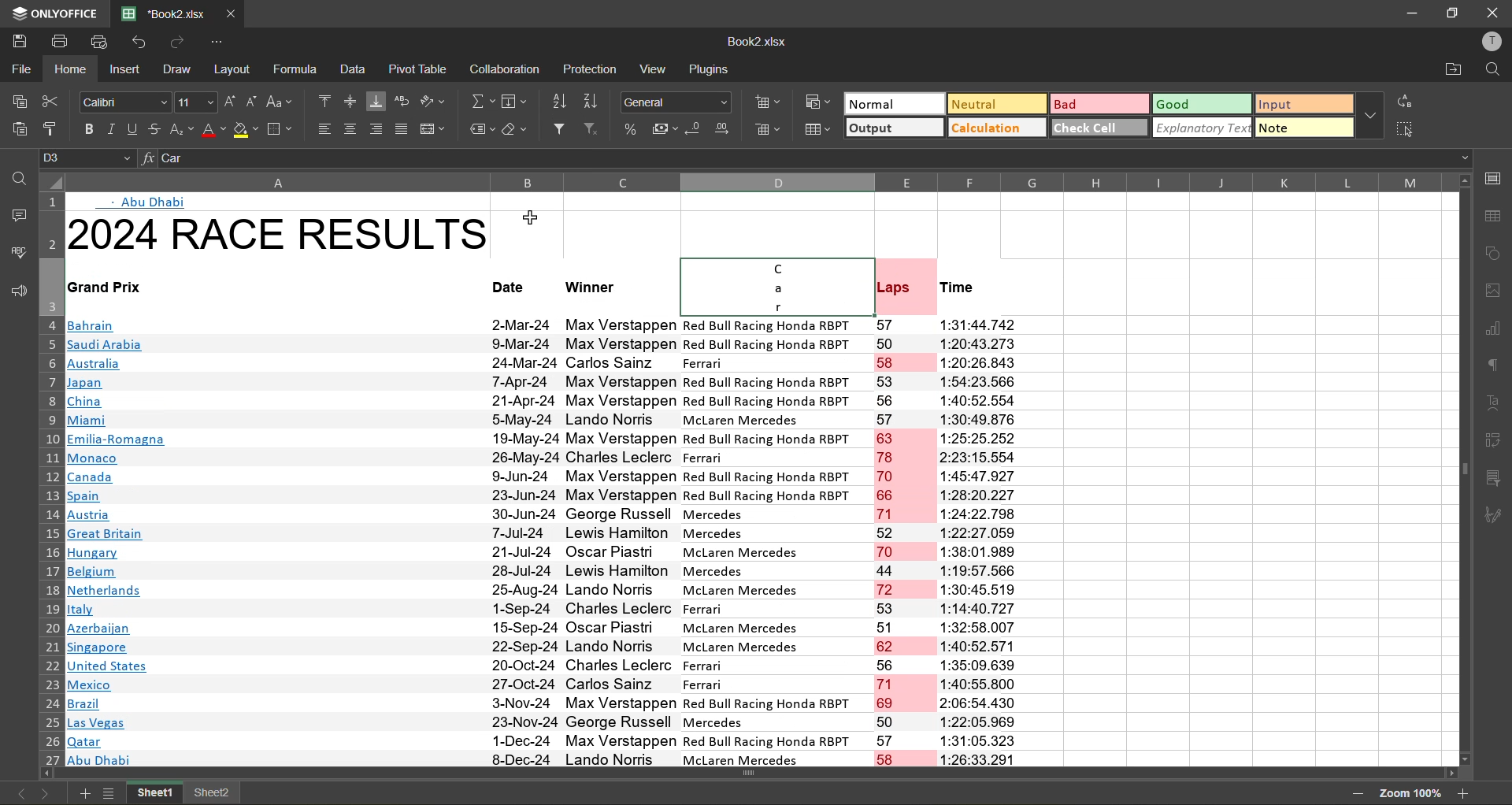 The width and height of the screenshot is (1512, 805). I want to click on previous, so click(17, 792).